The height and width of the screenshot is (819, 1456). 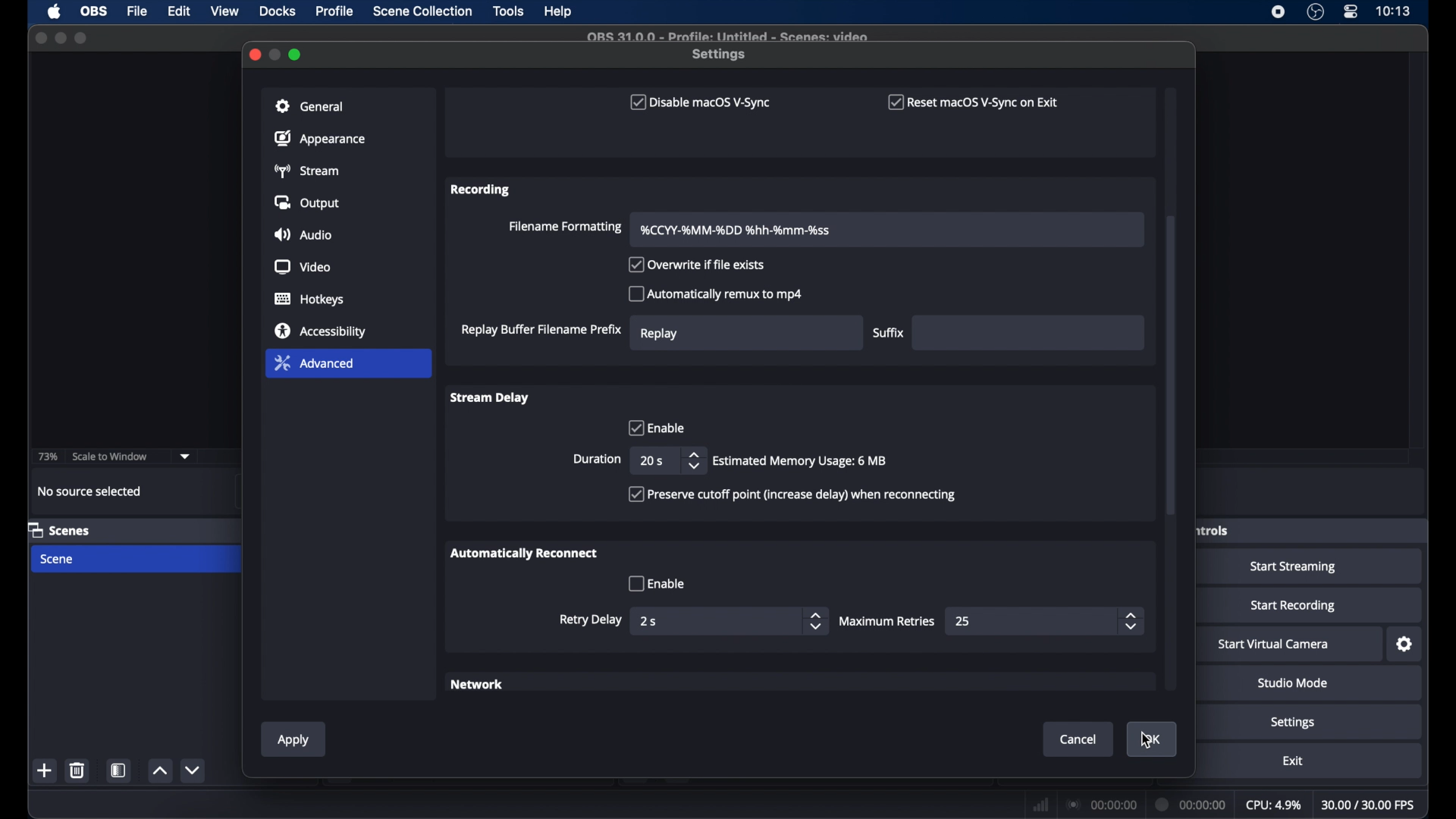 I want to click on decrement, so click(x=192, y=770).